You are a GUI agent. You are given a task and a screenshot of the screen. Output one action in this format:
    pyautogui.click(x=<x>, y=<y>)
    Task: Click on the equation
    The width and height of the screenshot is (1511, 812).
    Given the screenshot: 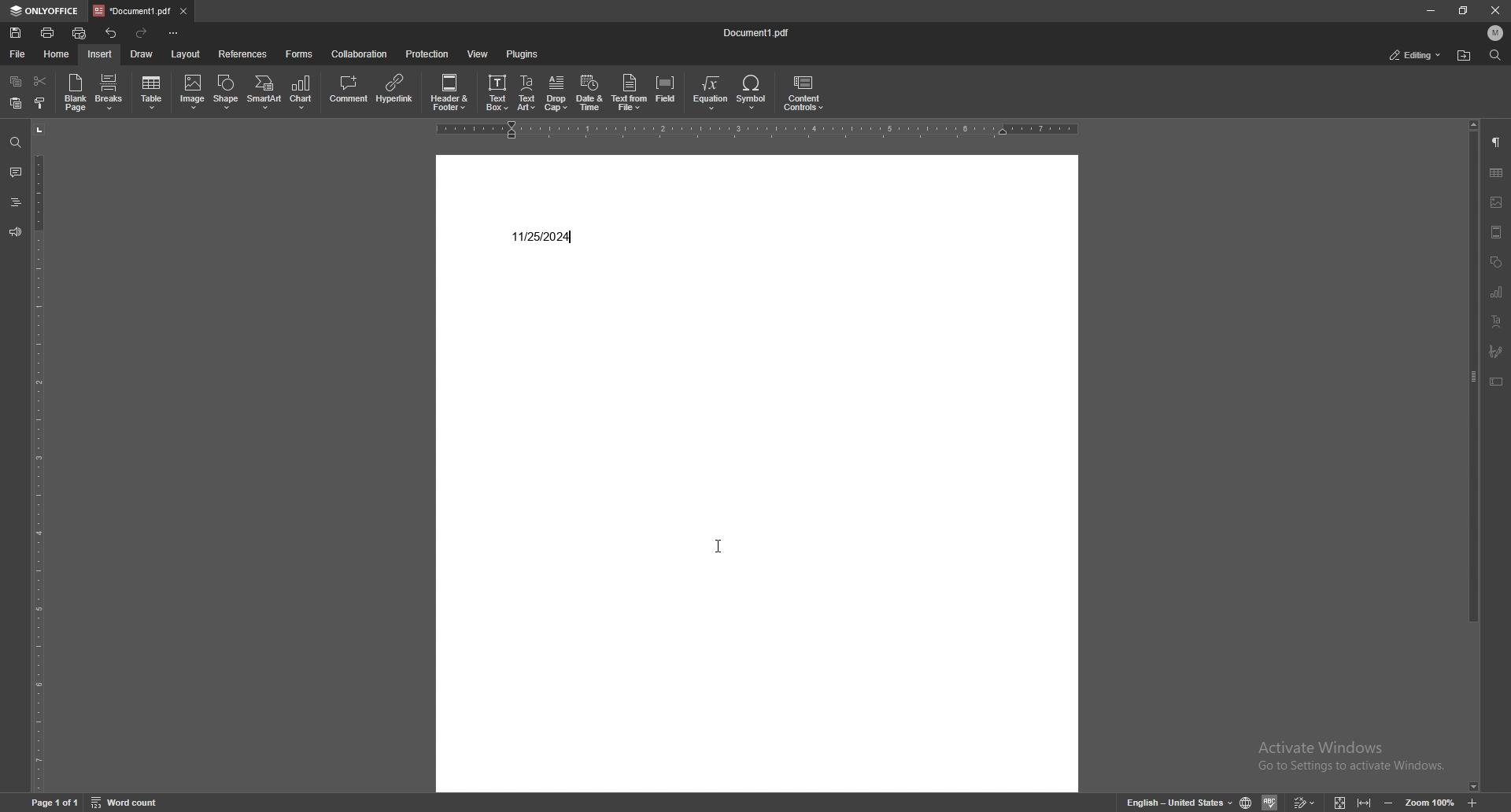 What is the action you would take?
    pyautogui.click(x=711, y=93)
    